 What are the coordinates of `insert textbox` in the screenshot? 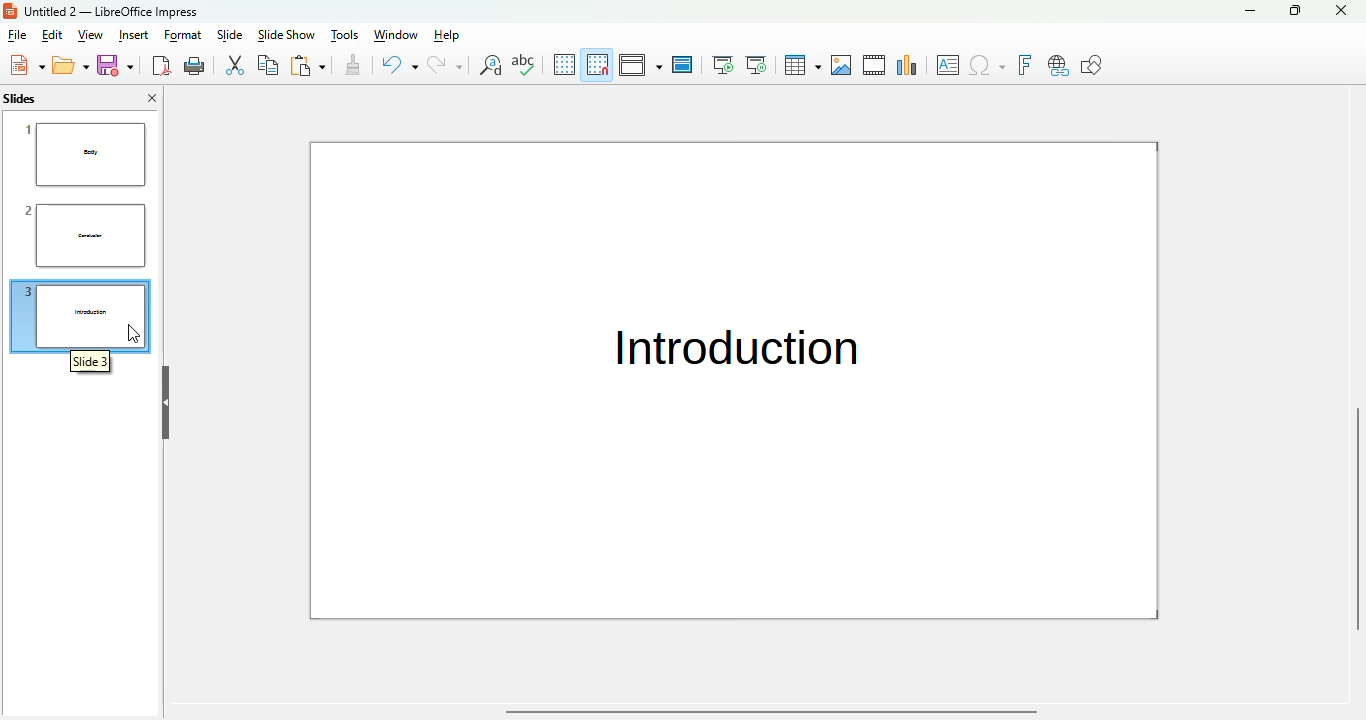 It's located at (949, 65).